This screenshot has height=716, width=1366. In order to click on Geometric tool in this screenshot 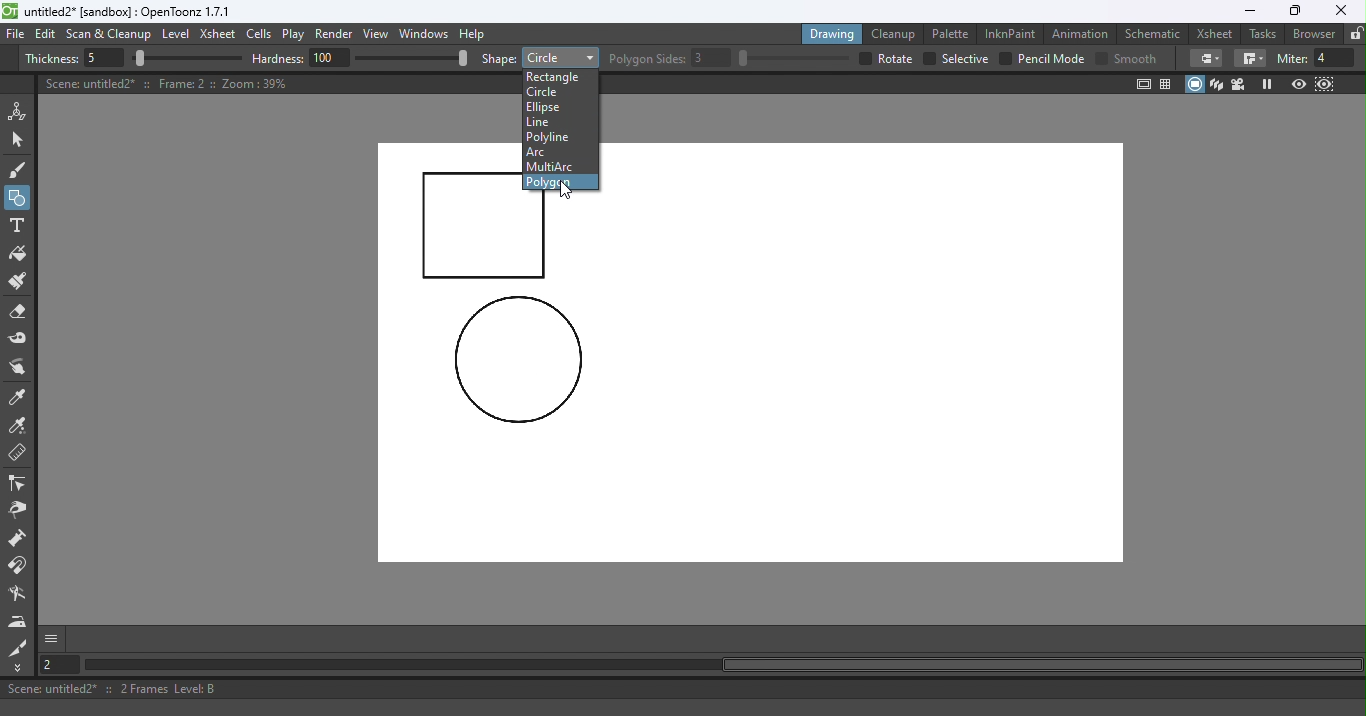, I will do `click(19, 198)`.